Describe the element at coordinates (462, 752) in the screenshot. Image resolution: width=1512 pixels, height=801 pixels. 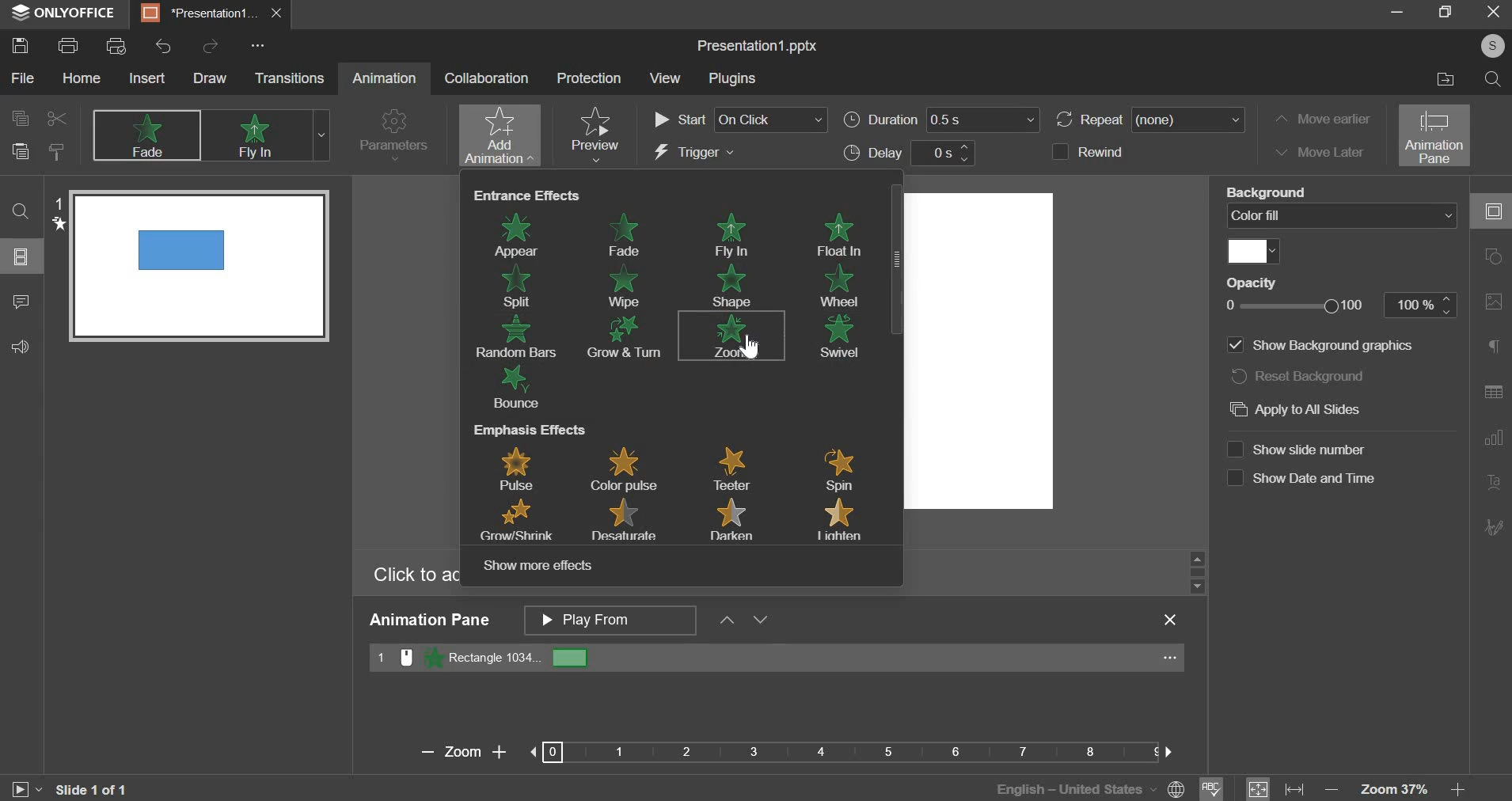
I see `Zoom` at that location.